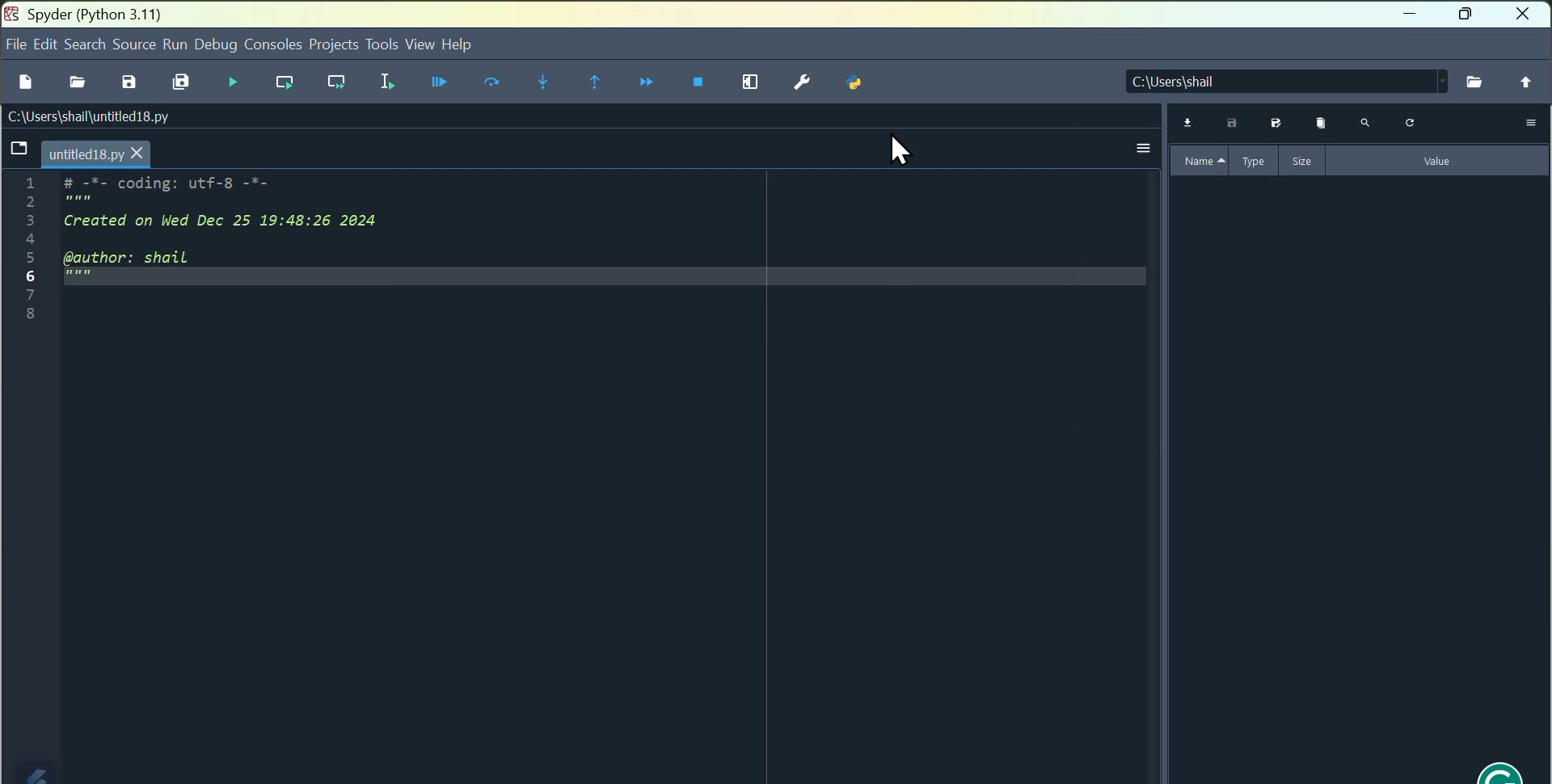 The height and width of the screenshot is (784, 1552). I want to click on Console, so click(272, 42).